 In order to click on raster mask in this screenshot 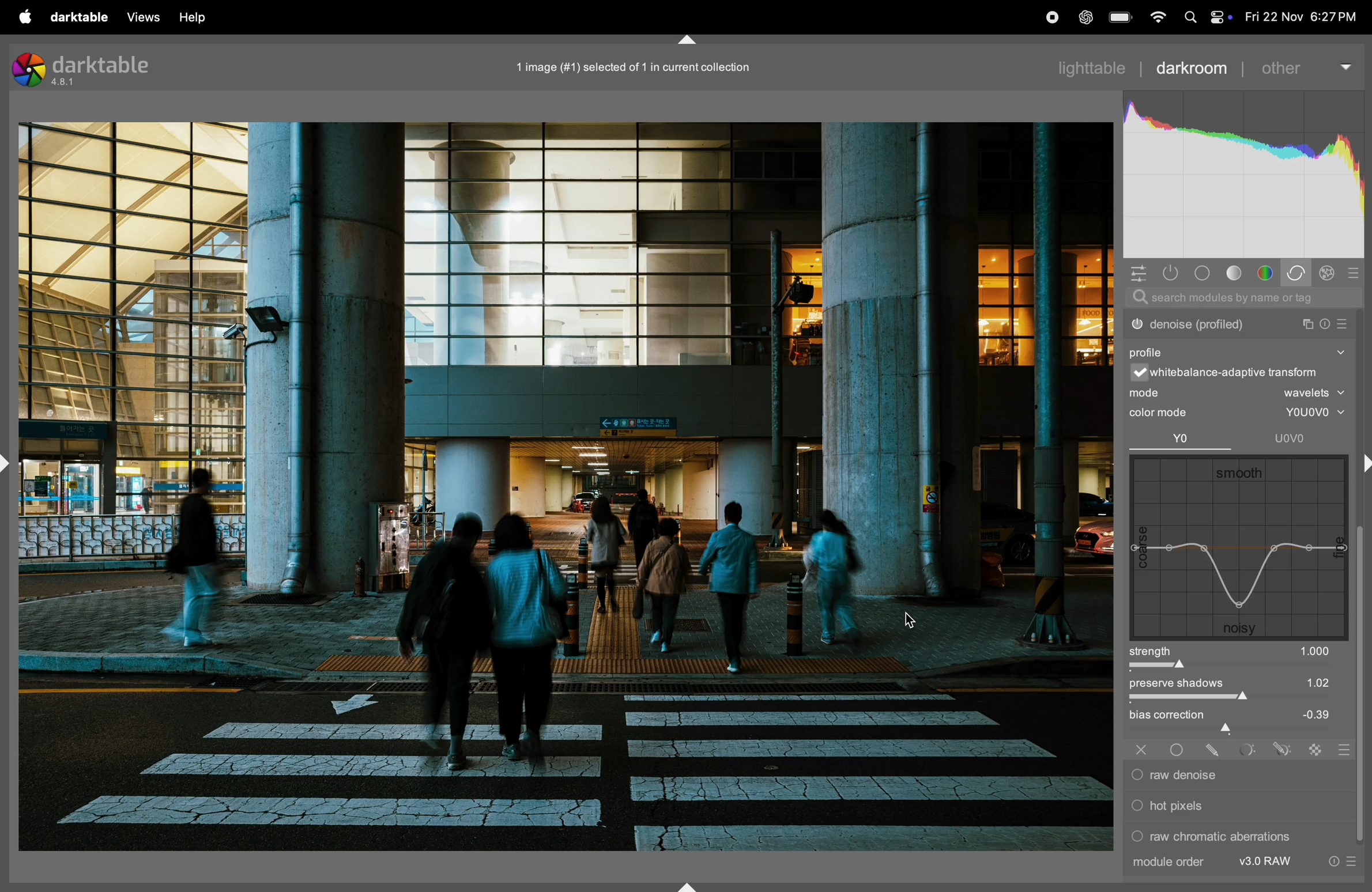, I will do `click(1318, 749)`.